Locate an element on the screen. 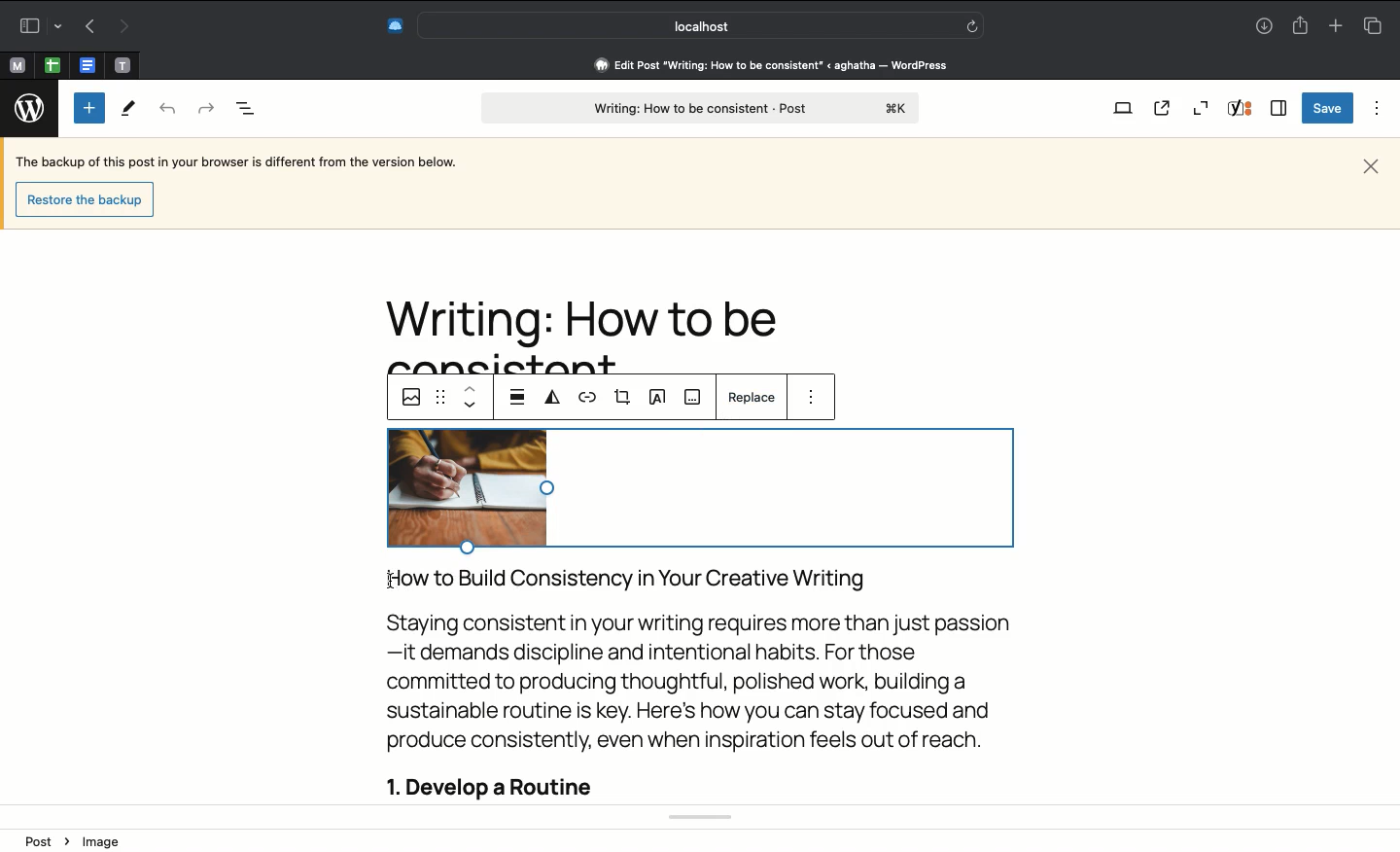  Downloads is located at coordinates (1266, 25).